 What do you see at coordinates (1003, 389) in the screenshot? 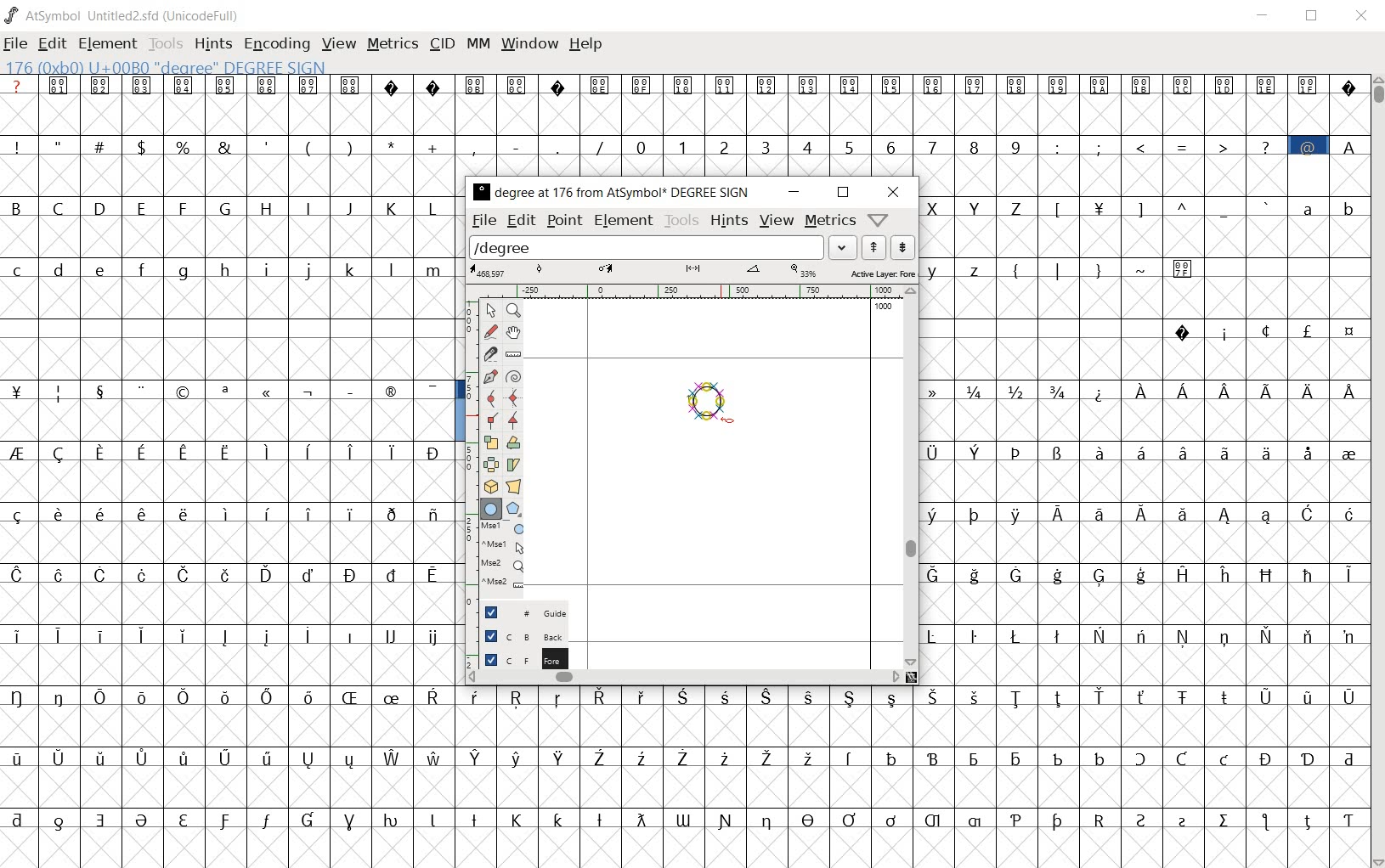
I see `fractions` at bounding box center [1003, 389].